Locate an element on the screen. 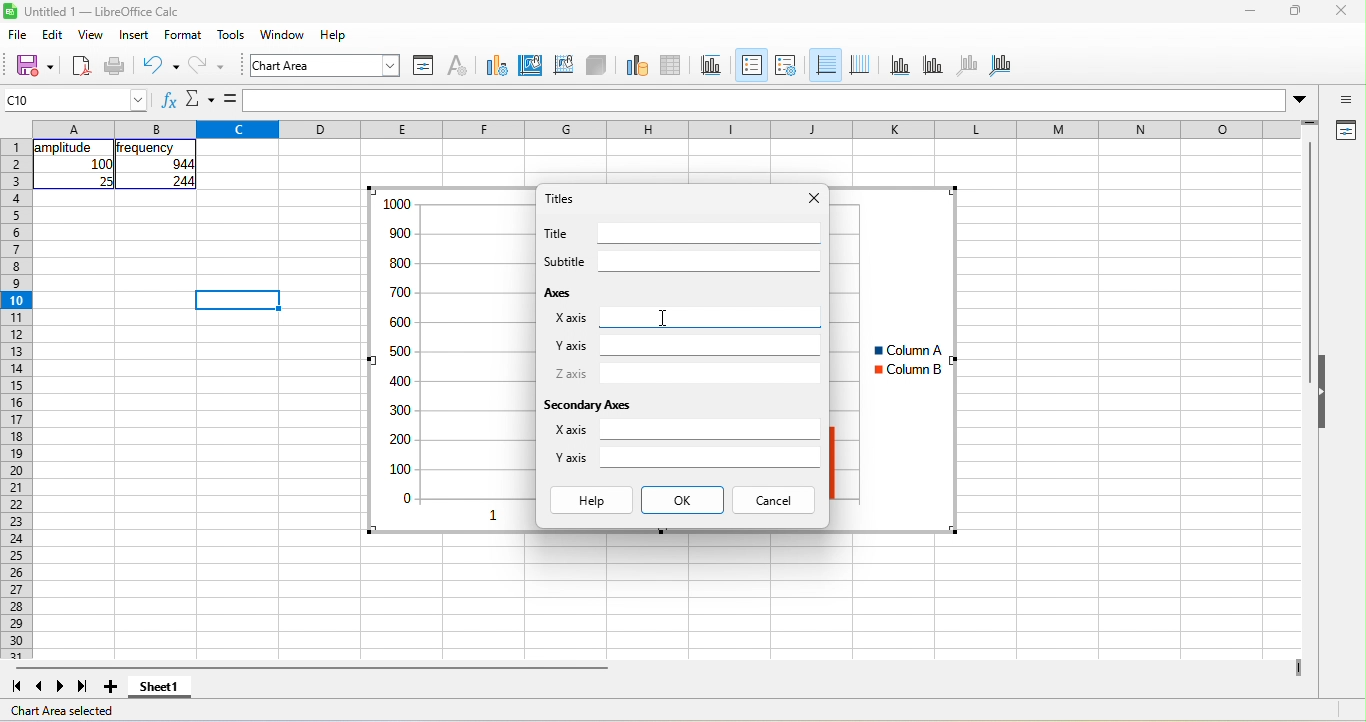  save is located at coordinates (34, 67).